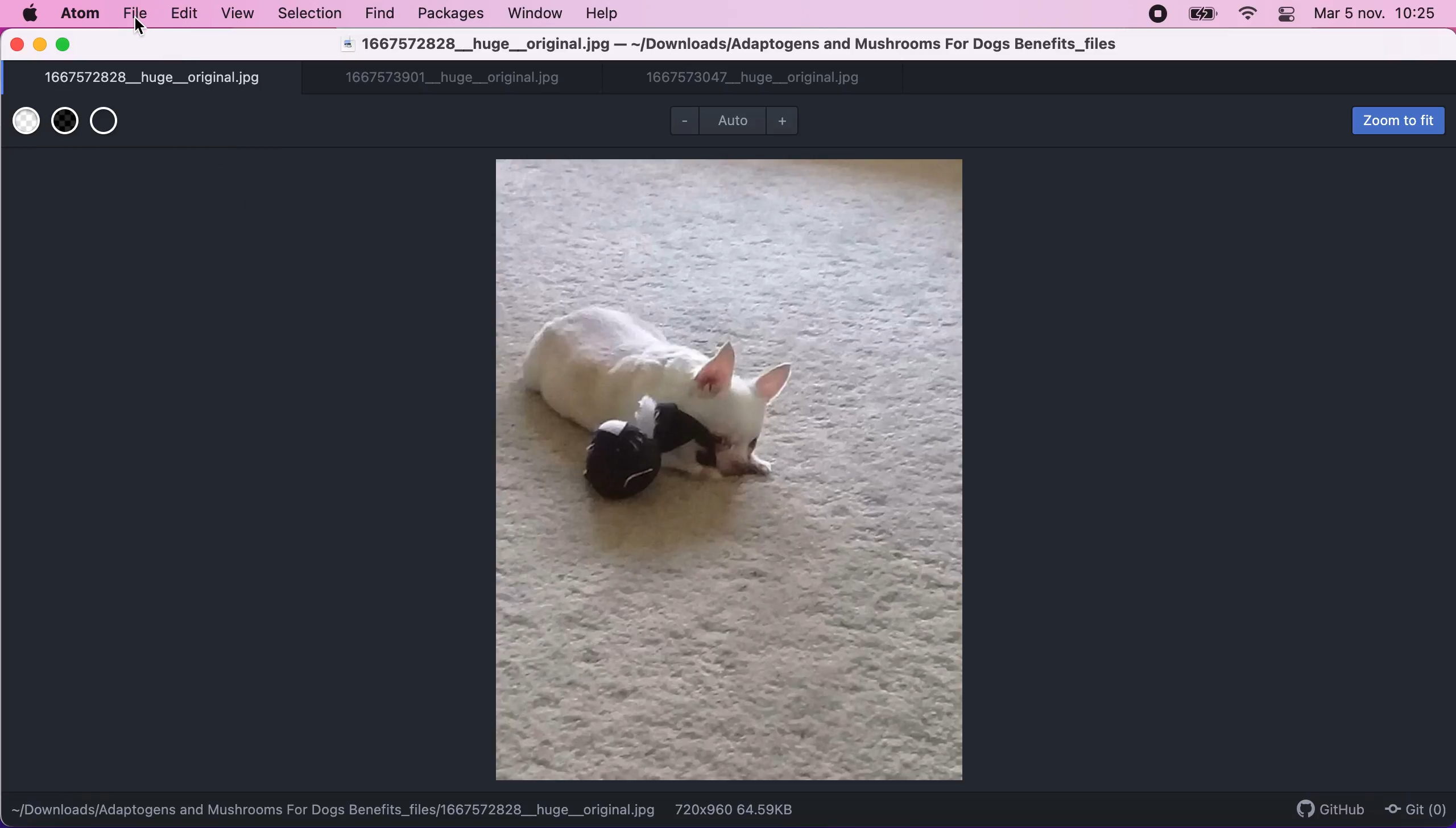  Describe the element at coordinates (1378, 15) in the screenshot. I see `Mar 5 nov. 10:25` at that location.